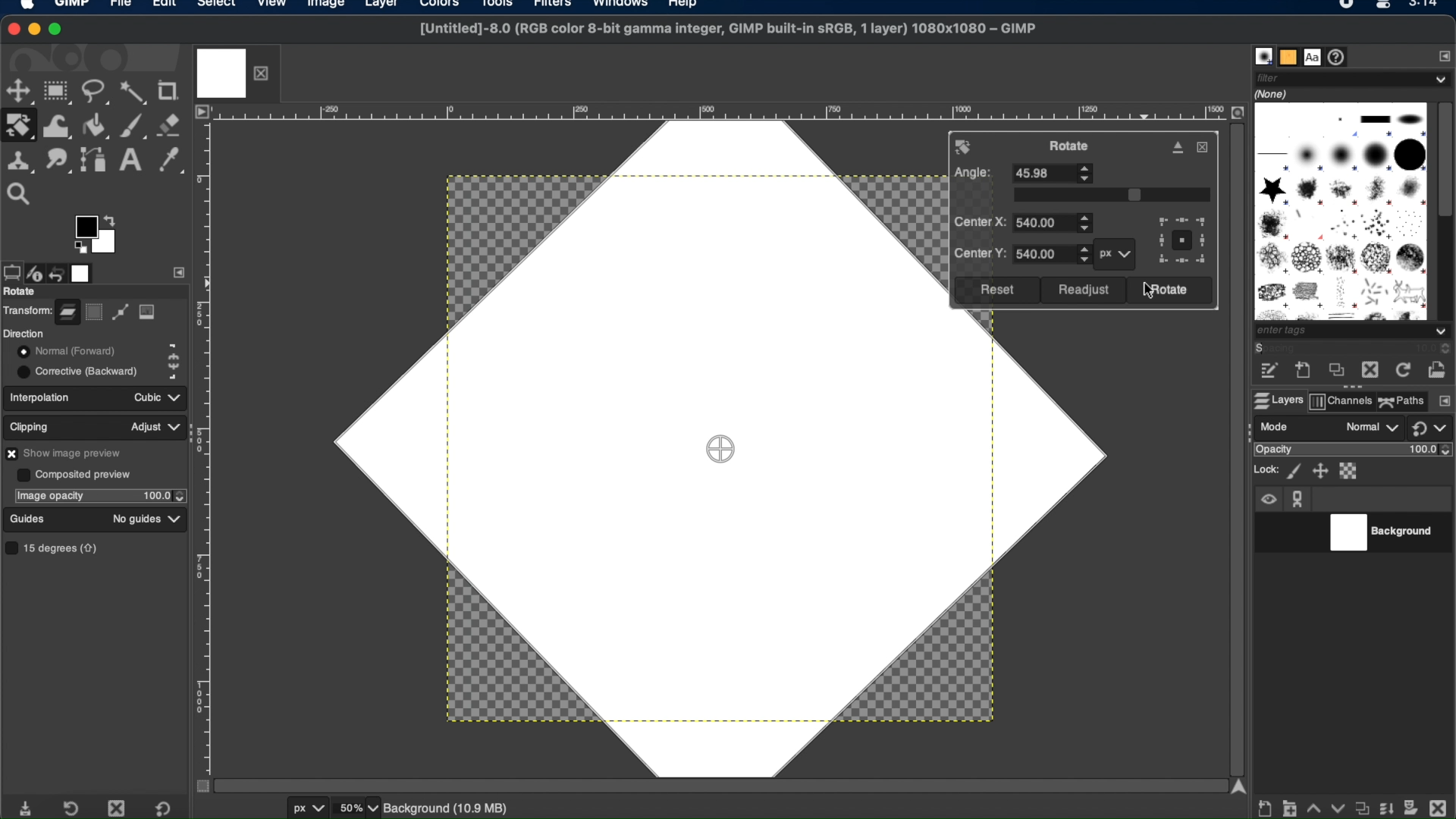  What do you see at coordinates (1237, 113) in the screenshot?
I see `zoom image when window size changes` at bounding box center [1237, 113].